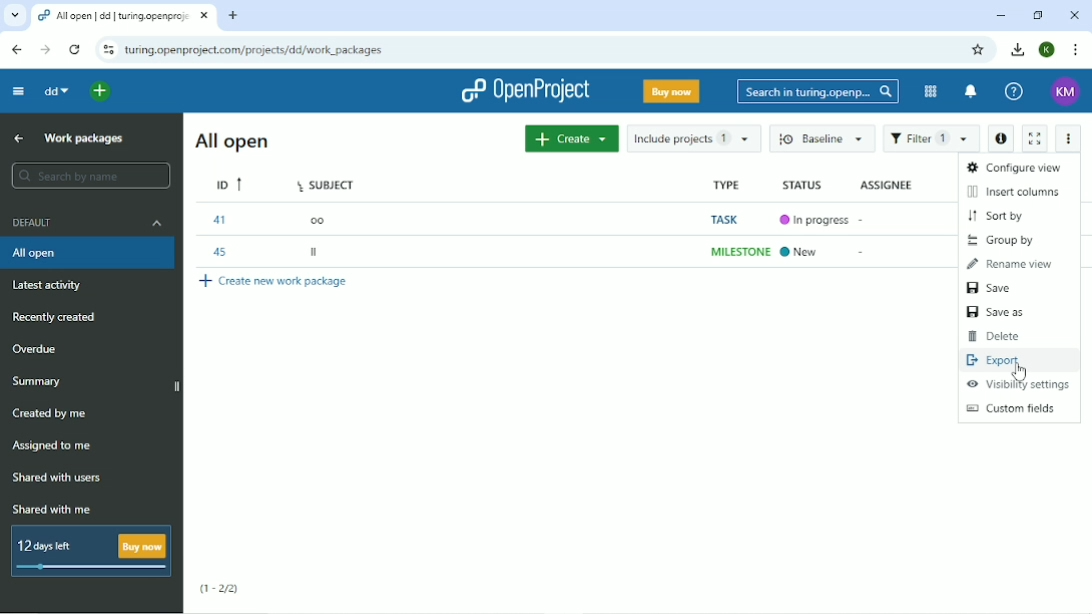 Image resolution: width=1092 pixels, height=614 pixels. Describe the element at coordinates (997, 216) in the screenshot. I see `Sort by` at that location.